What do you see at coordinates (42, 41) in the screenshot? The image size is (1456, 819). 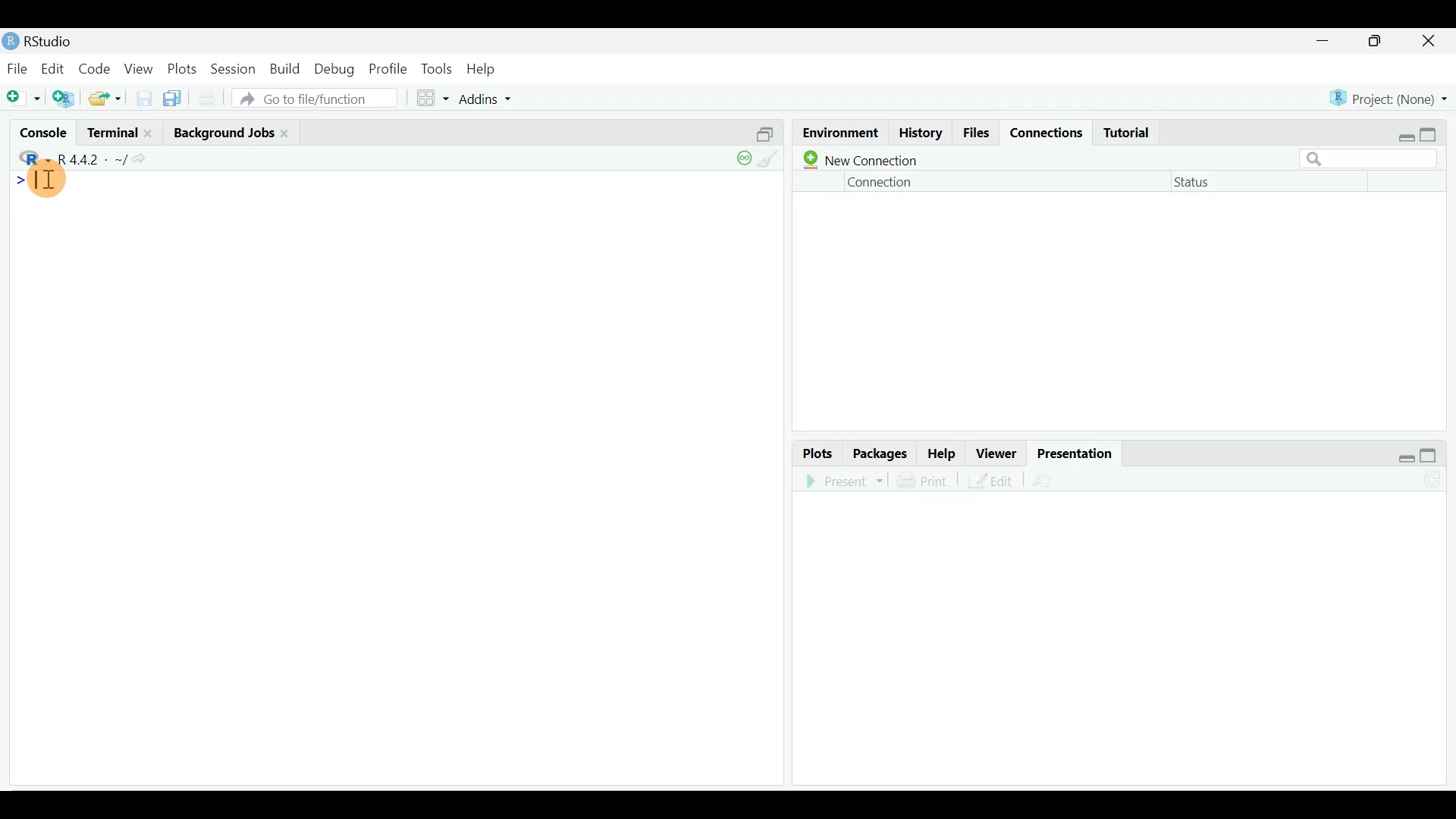 I see `RStudio` at bounding box center [42, 41].